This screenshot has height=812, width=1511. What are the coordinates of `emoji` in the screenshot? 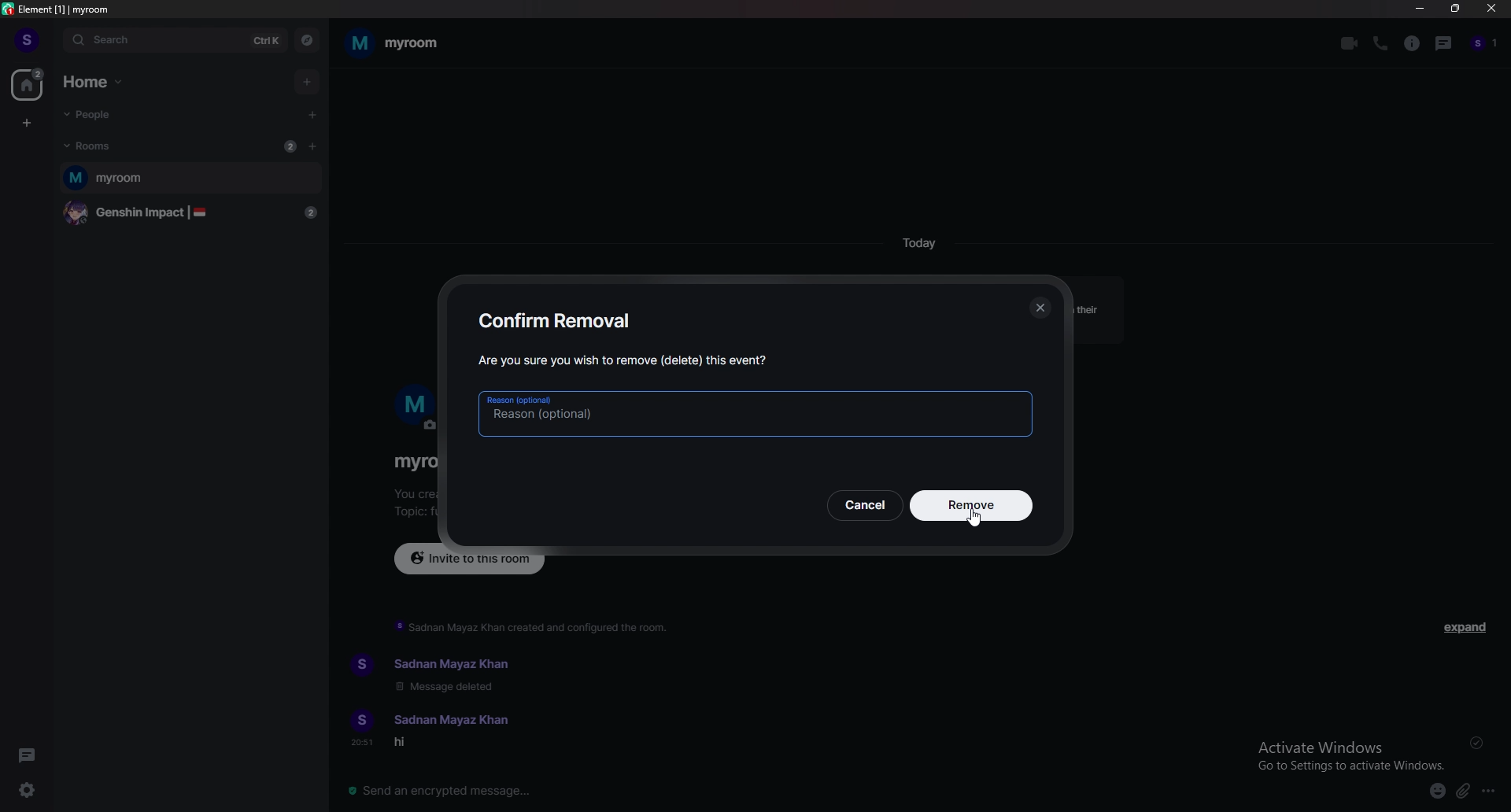 It's located at (1436, 792).